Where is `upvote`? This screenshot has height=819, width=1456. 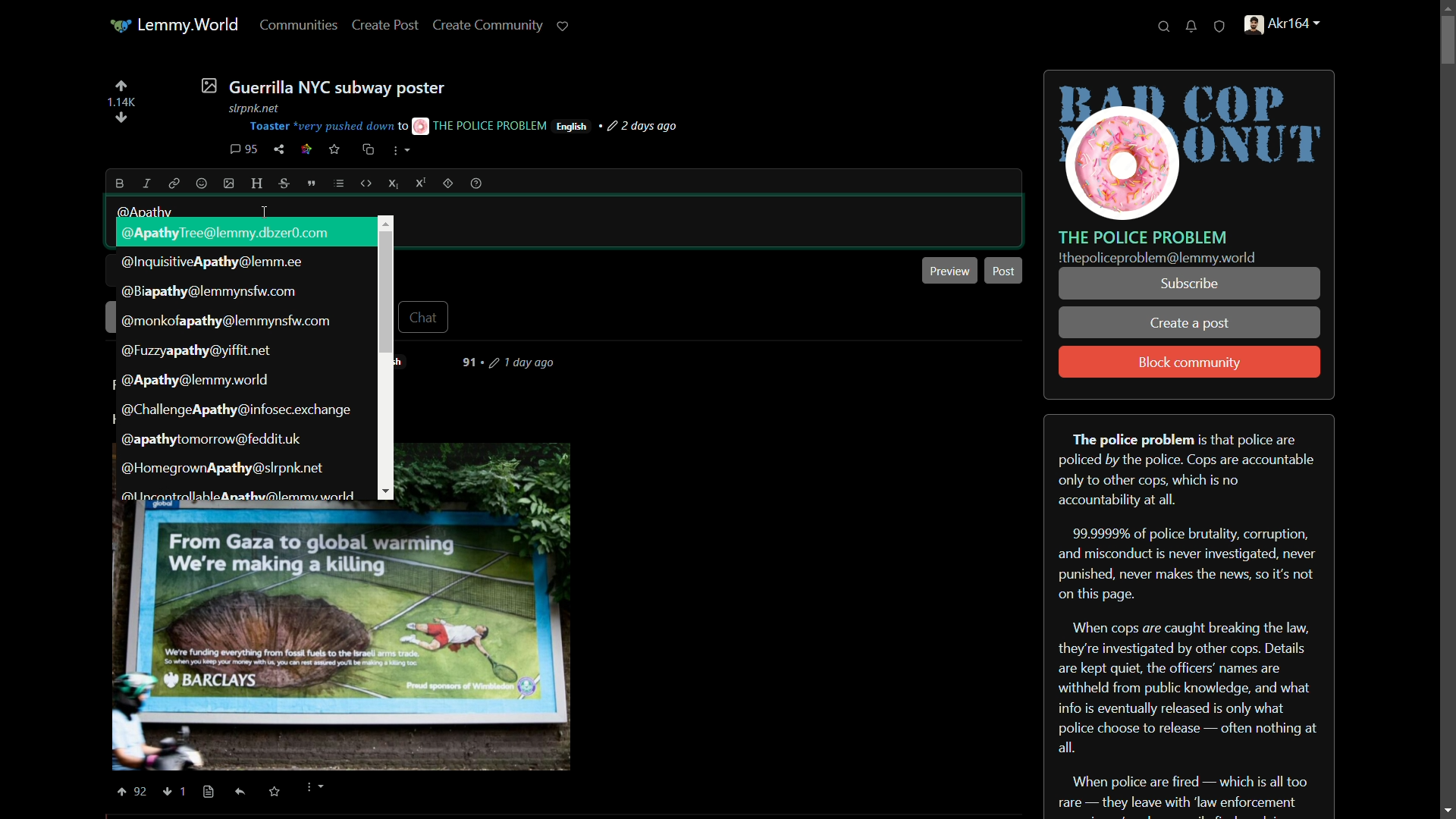 upvote is located at coordinates (130, 792).